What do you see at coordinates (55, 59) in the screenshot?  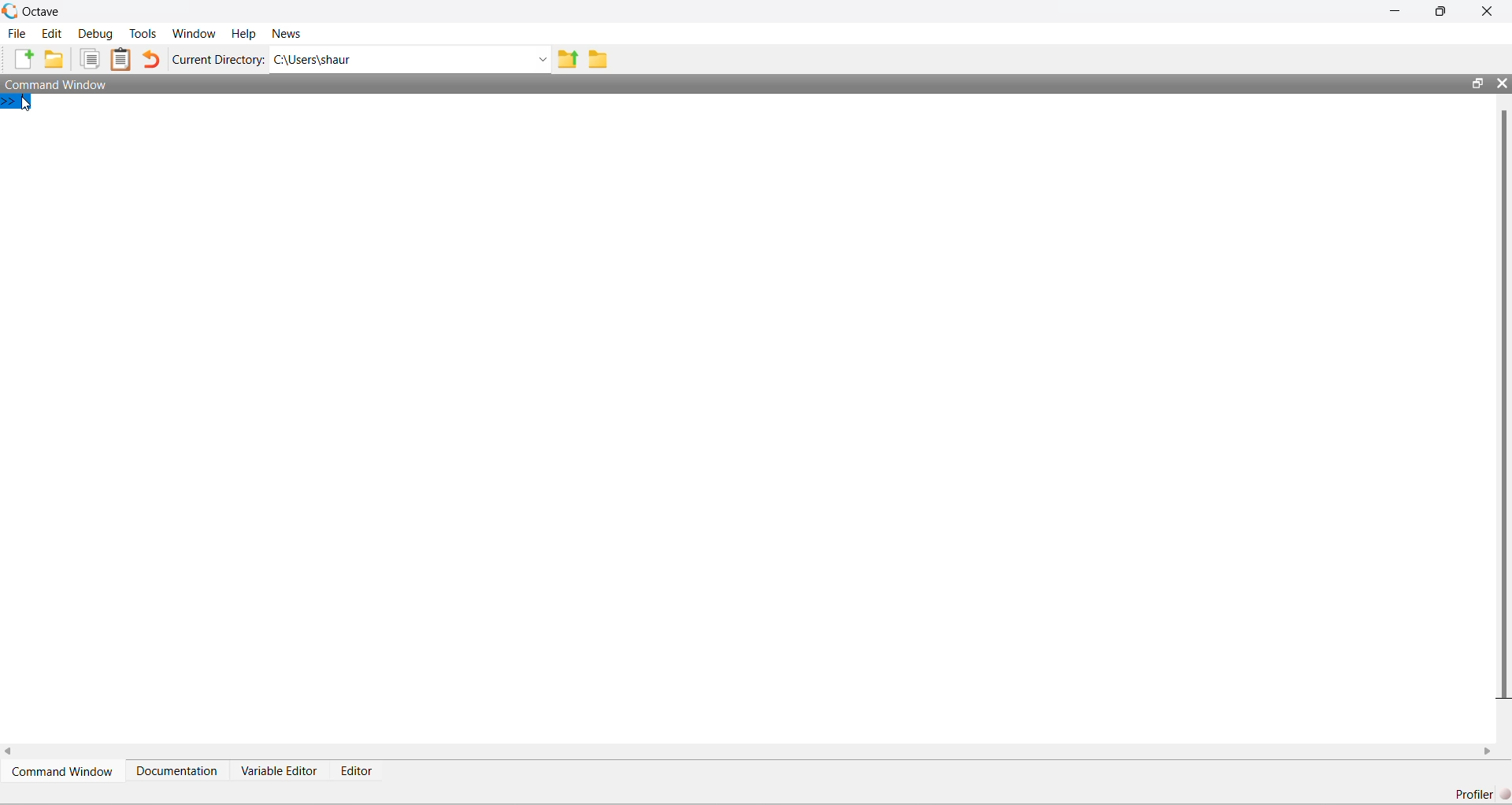 I see `New Folder` at bounding box center [55, 59].